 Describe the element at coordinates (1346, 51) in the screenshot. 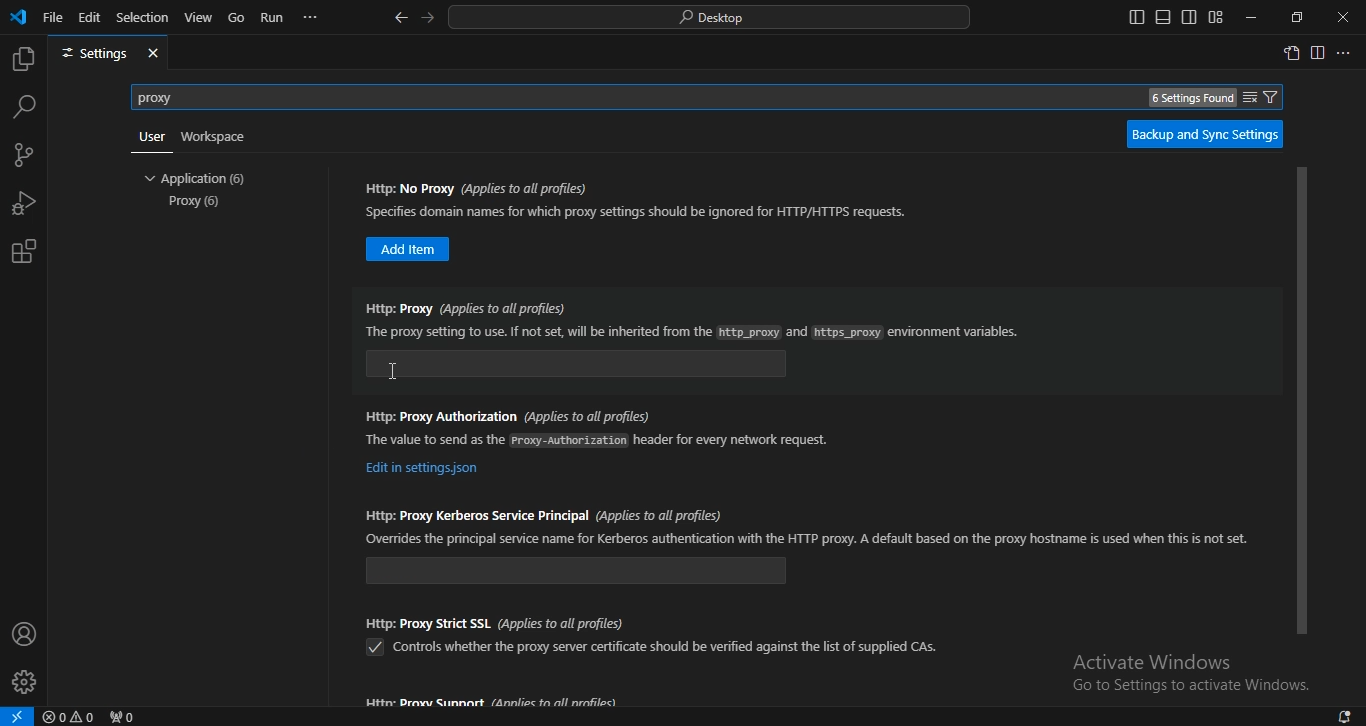

I see `More actions` at that location.